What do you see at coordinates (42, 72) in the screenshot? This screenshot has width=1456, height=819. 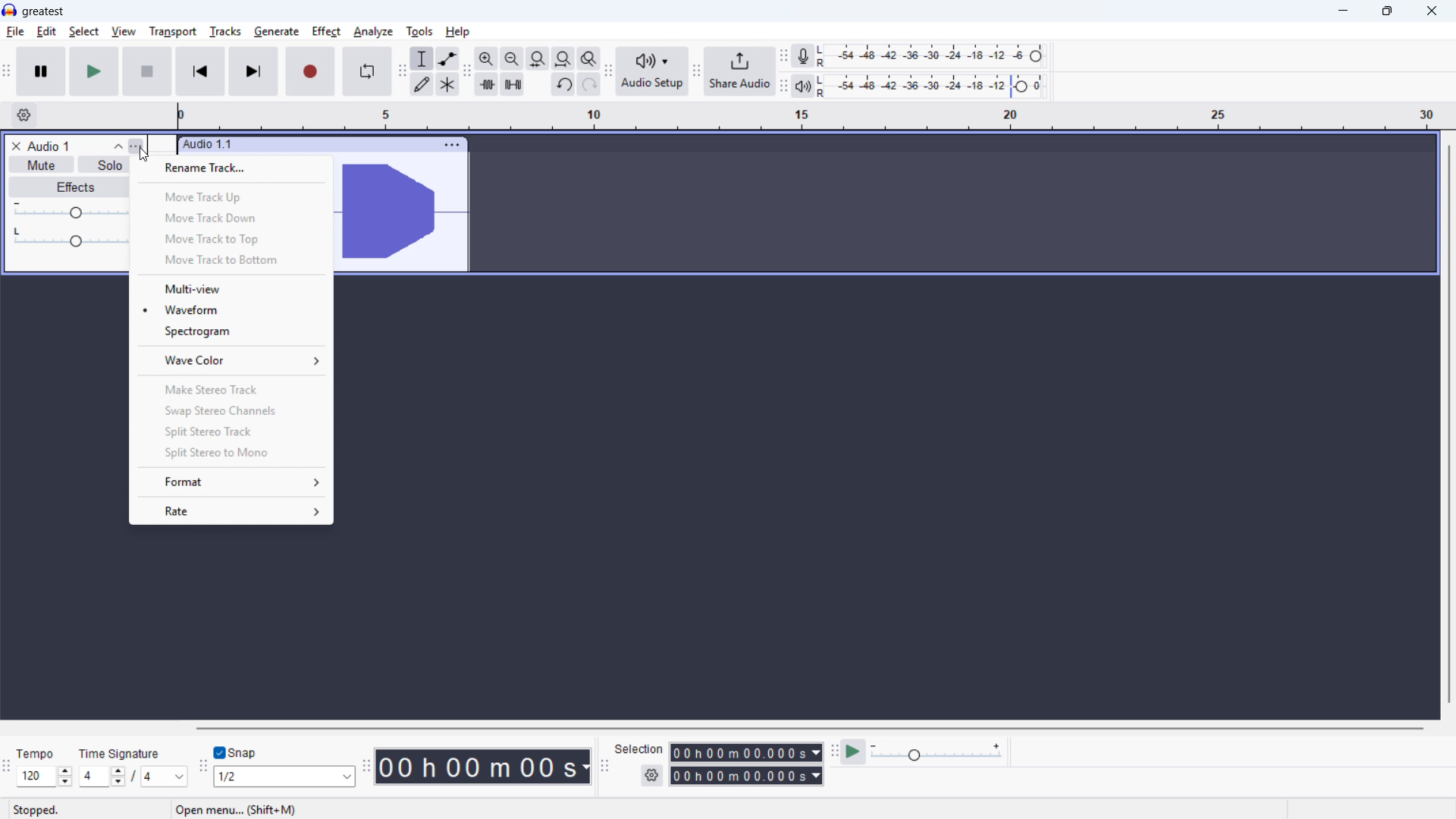 I see `pause` at bounding box center [42, 72].